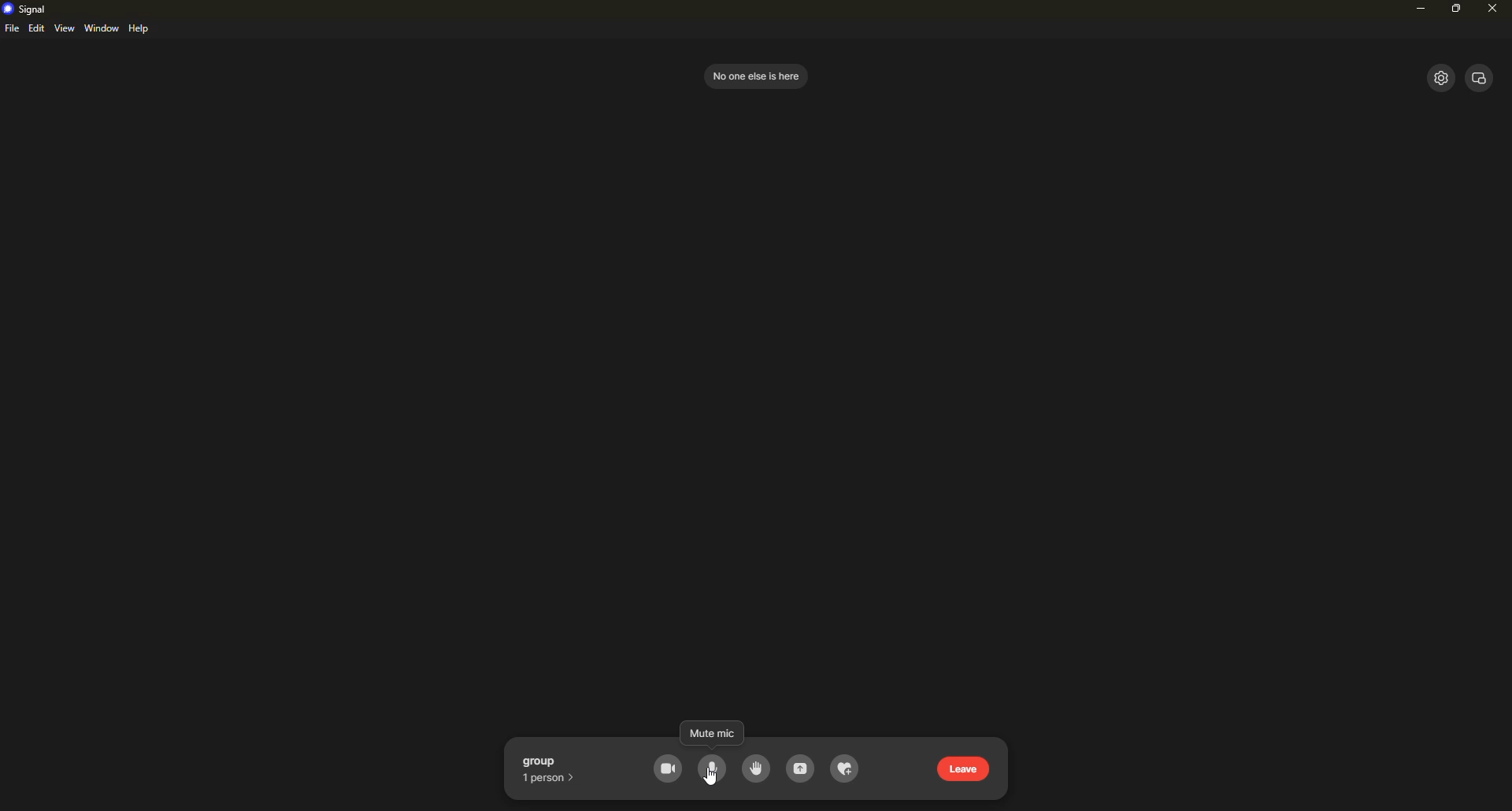 This screenshot has width=1512, height=811. I want to click on raise had, so click(754, 768).